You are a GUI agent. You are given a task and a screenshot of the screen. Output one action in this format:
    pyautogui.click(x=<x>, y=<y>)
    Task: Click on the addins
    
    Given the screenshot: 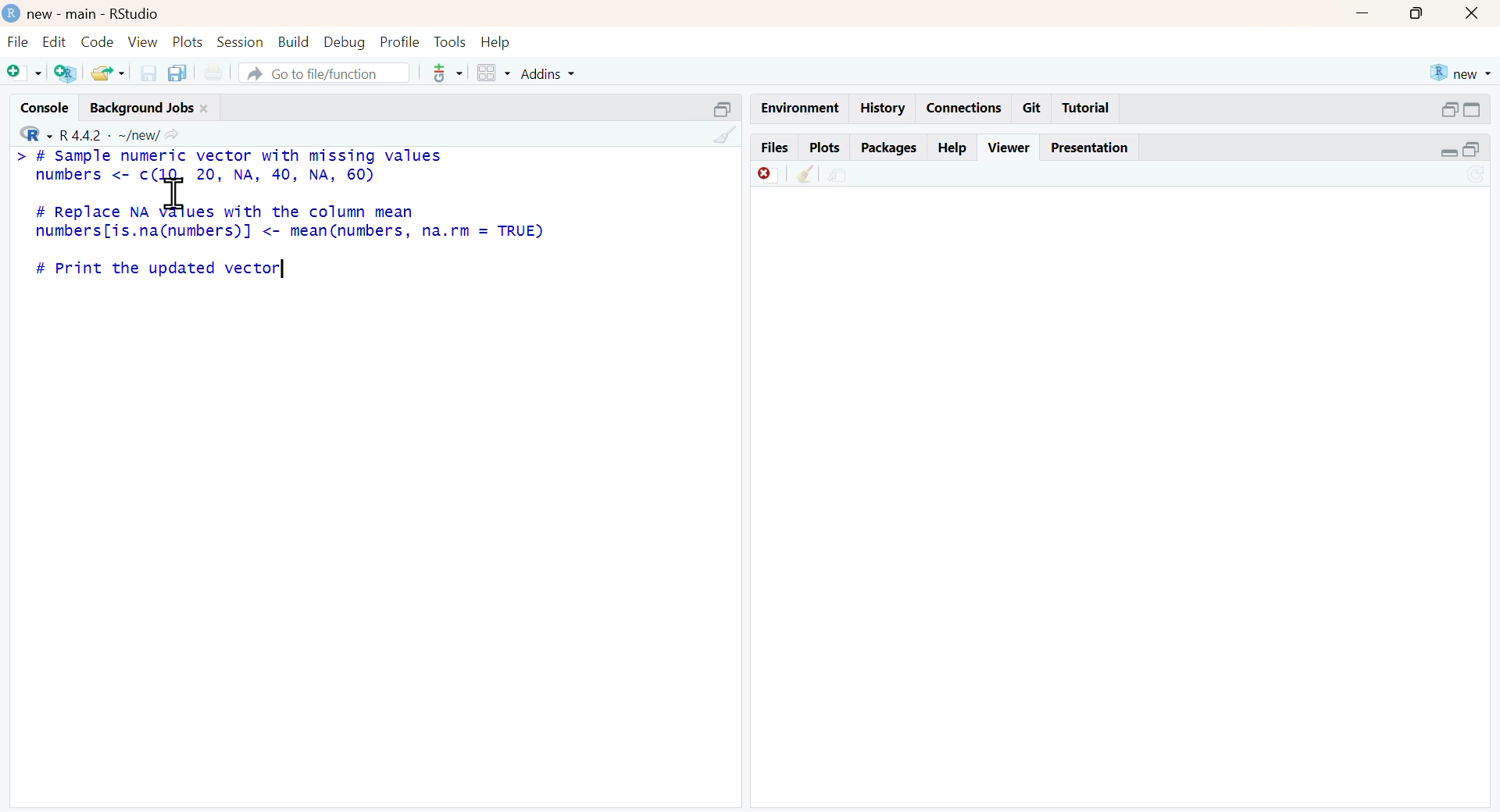 What is the action you would take?
    pyautogui.click(x=548, y=74)
    